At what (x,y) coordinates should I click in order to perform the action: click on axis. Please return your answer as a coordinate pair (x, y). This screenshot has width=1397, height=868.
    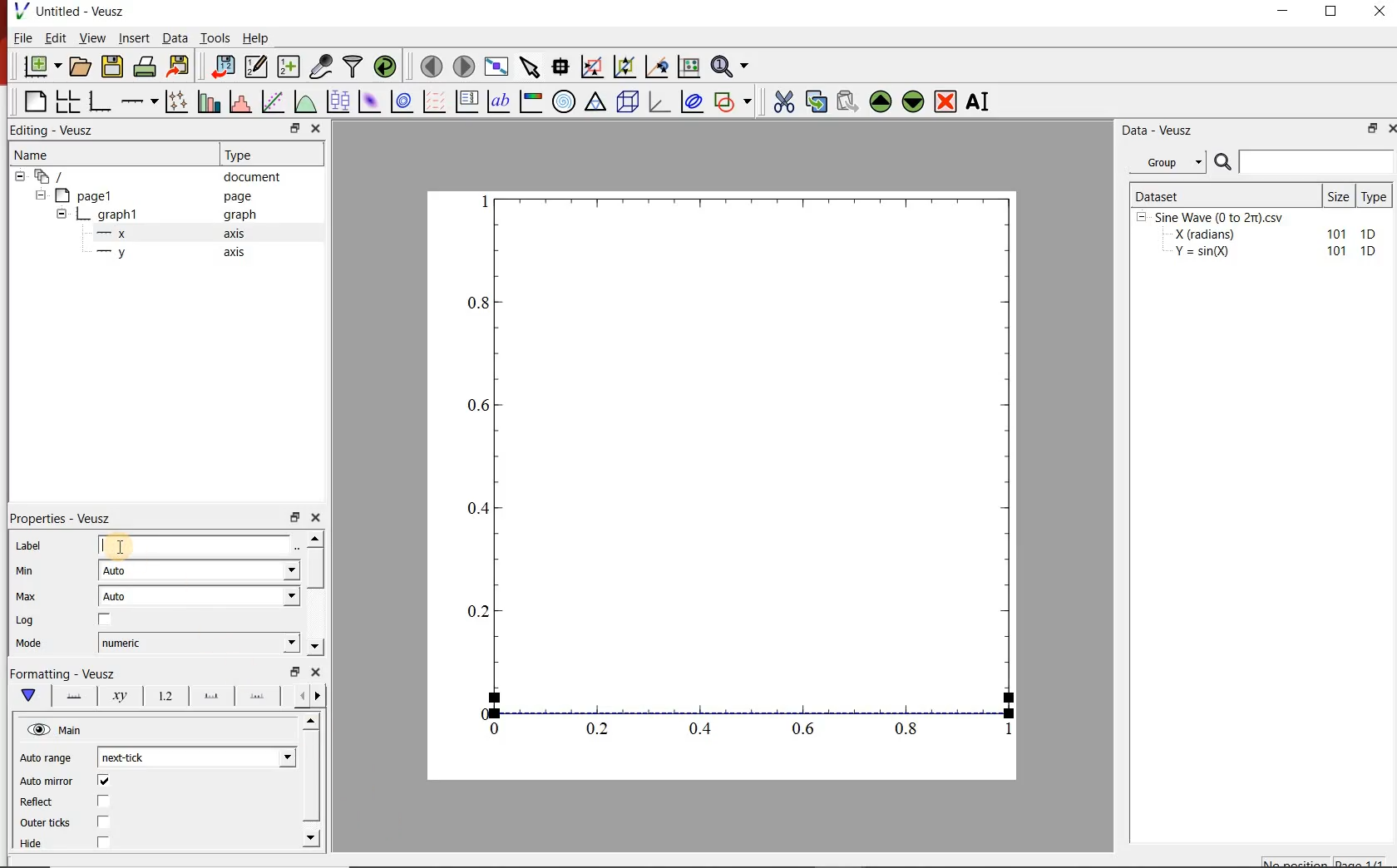
    Looking at the image, I should click on (233, 251).